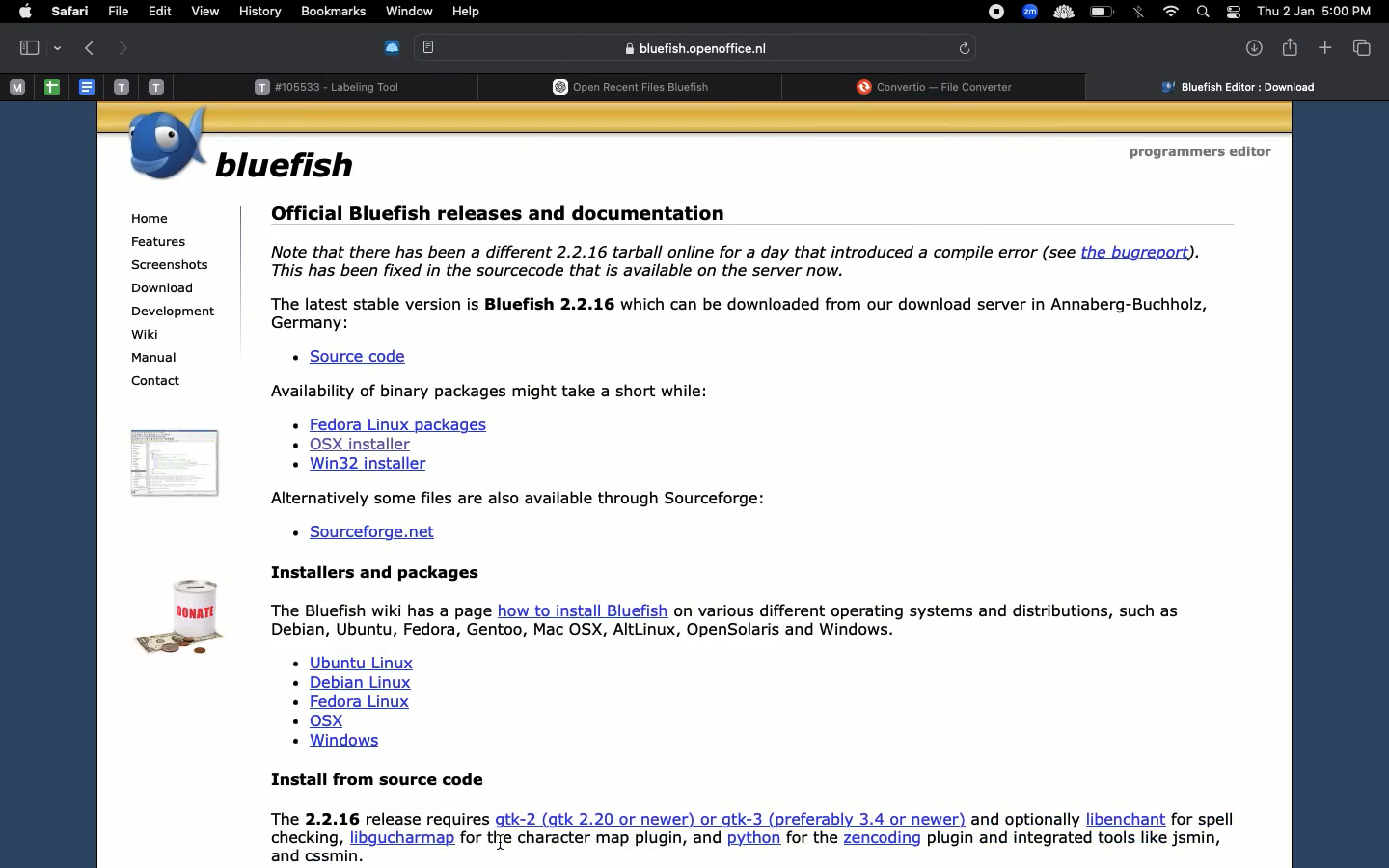  I want to click on share, so click(1286, 46).